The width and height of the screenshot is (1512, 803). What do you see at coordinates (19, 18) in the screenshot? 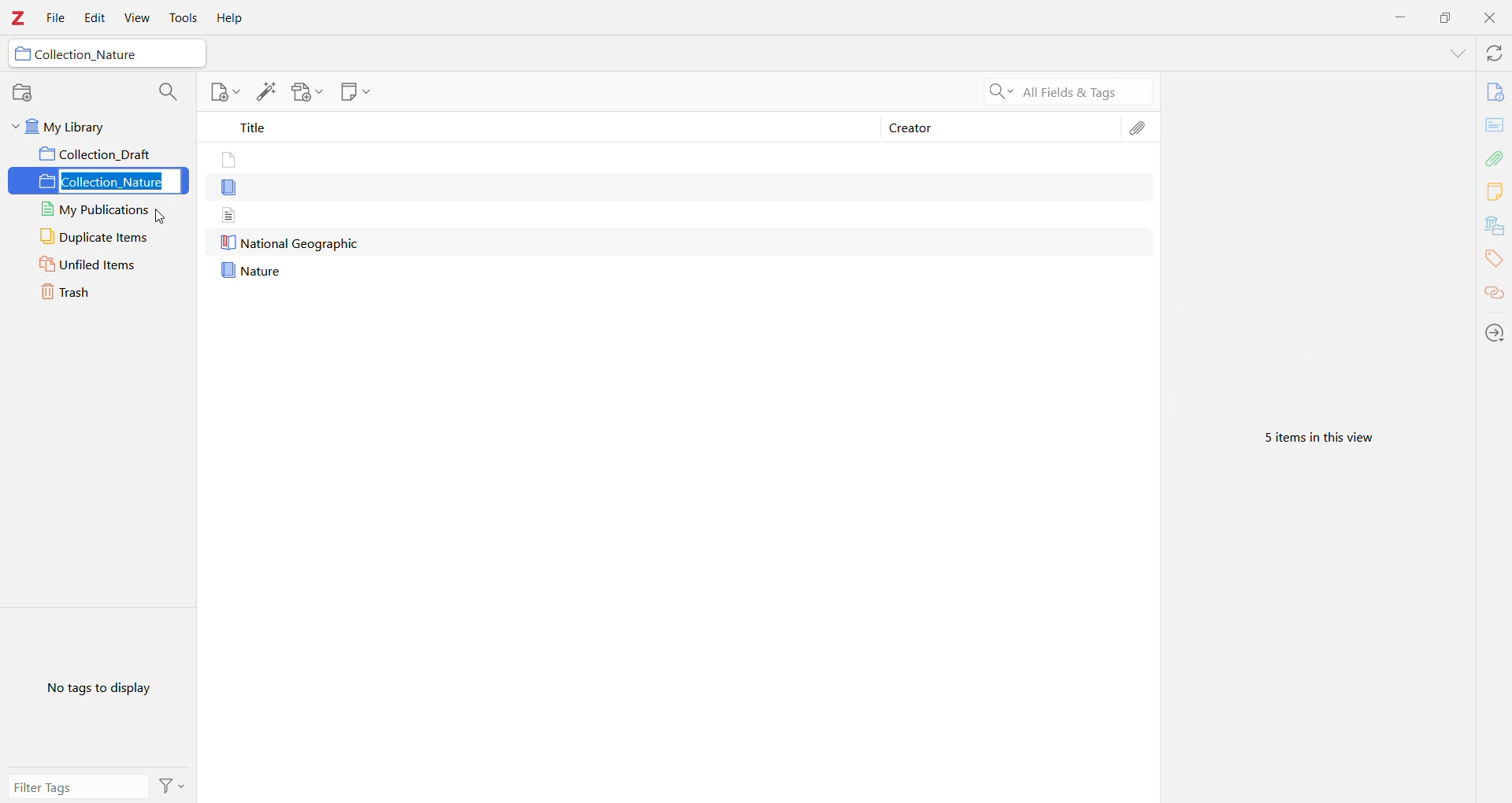
I see `Application Logo` at bounding box center [19, 18].